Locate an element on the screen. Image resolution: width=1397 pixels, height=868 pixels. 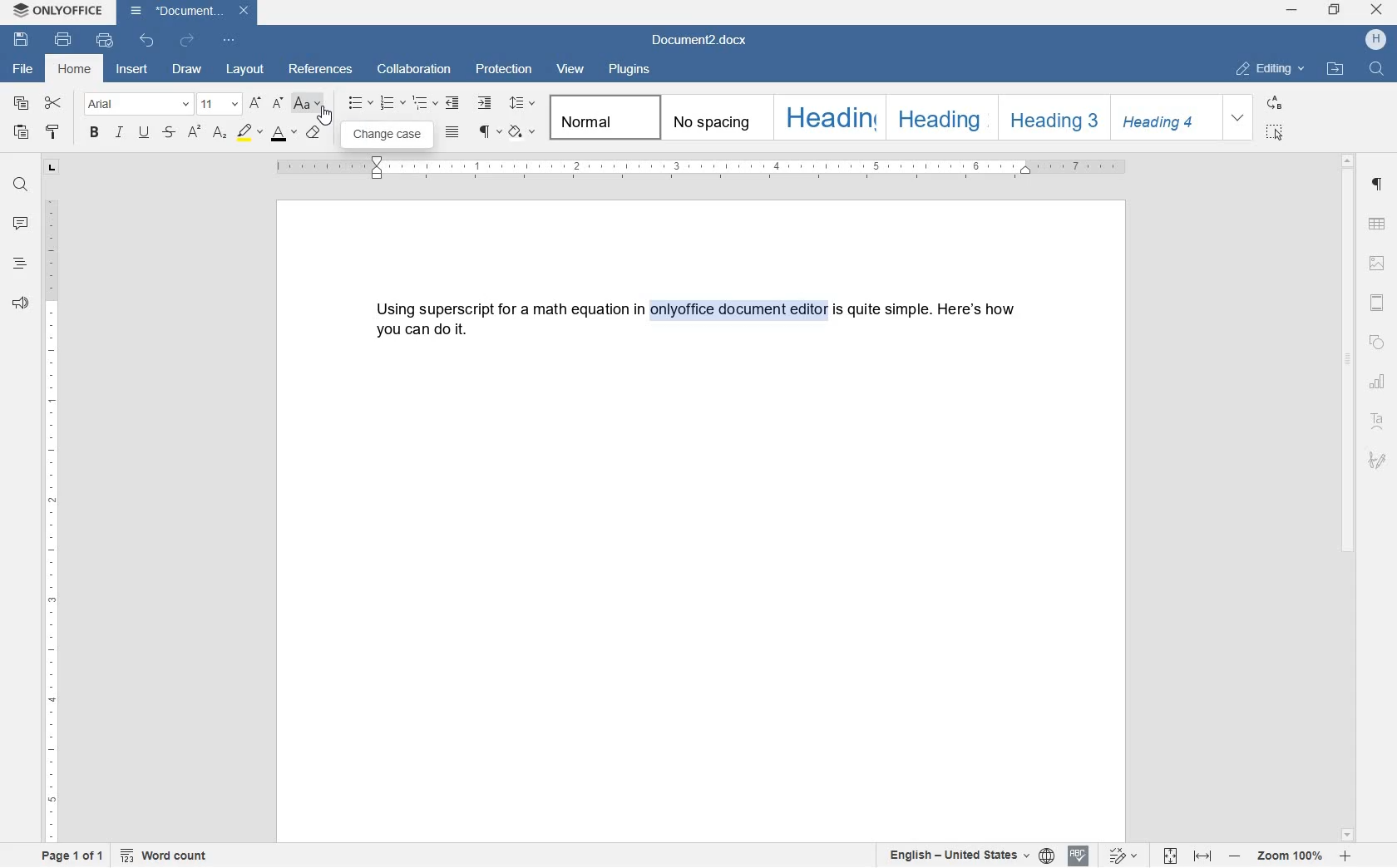
fit to page or fit to width is located at coordinates (1190, 856).